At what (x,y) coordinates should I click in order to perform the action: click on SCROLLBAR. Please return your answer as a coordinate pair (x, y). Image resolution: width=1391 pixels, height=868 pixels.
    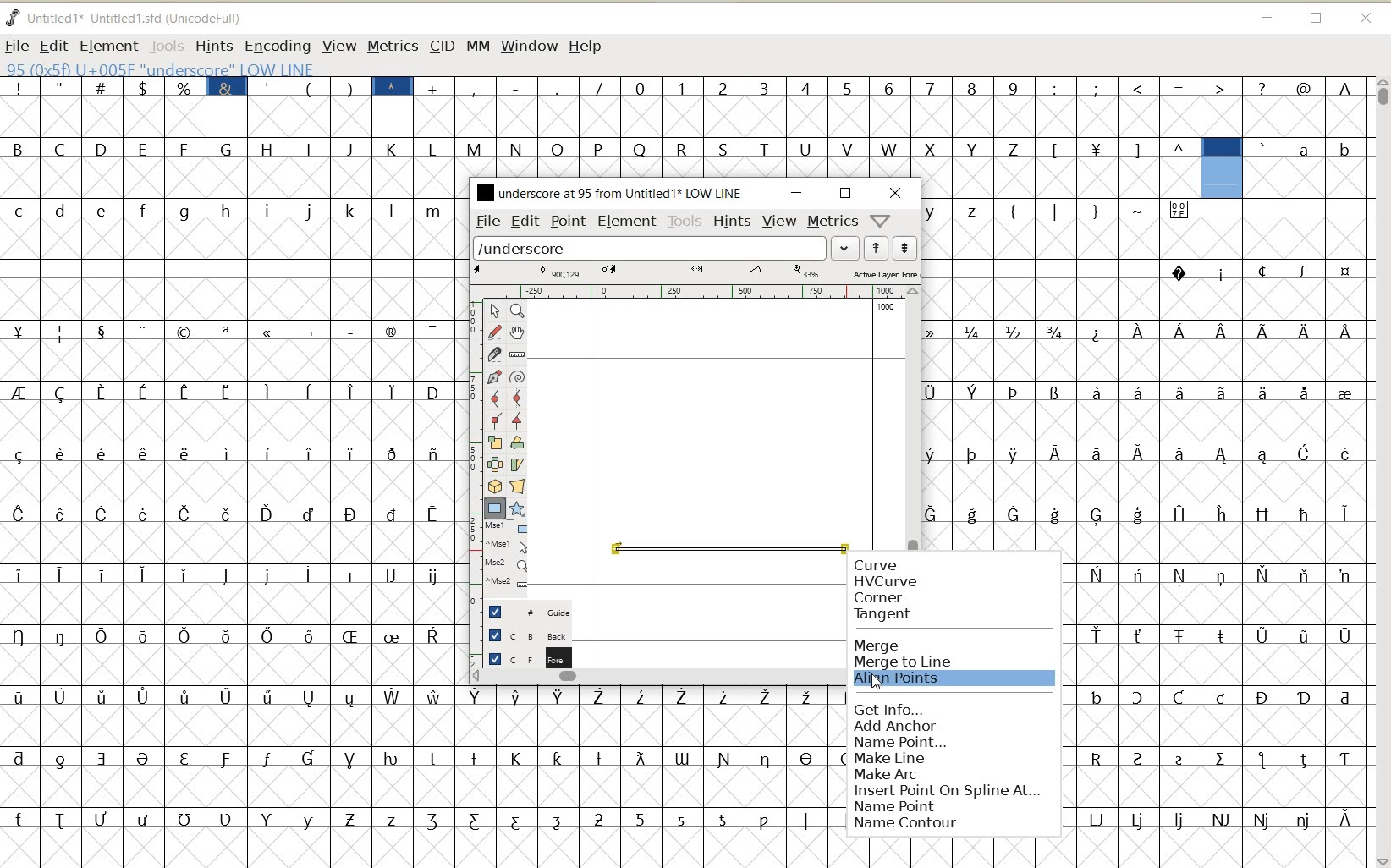
    Looking at the image, I should click on (913, 418).